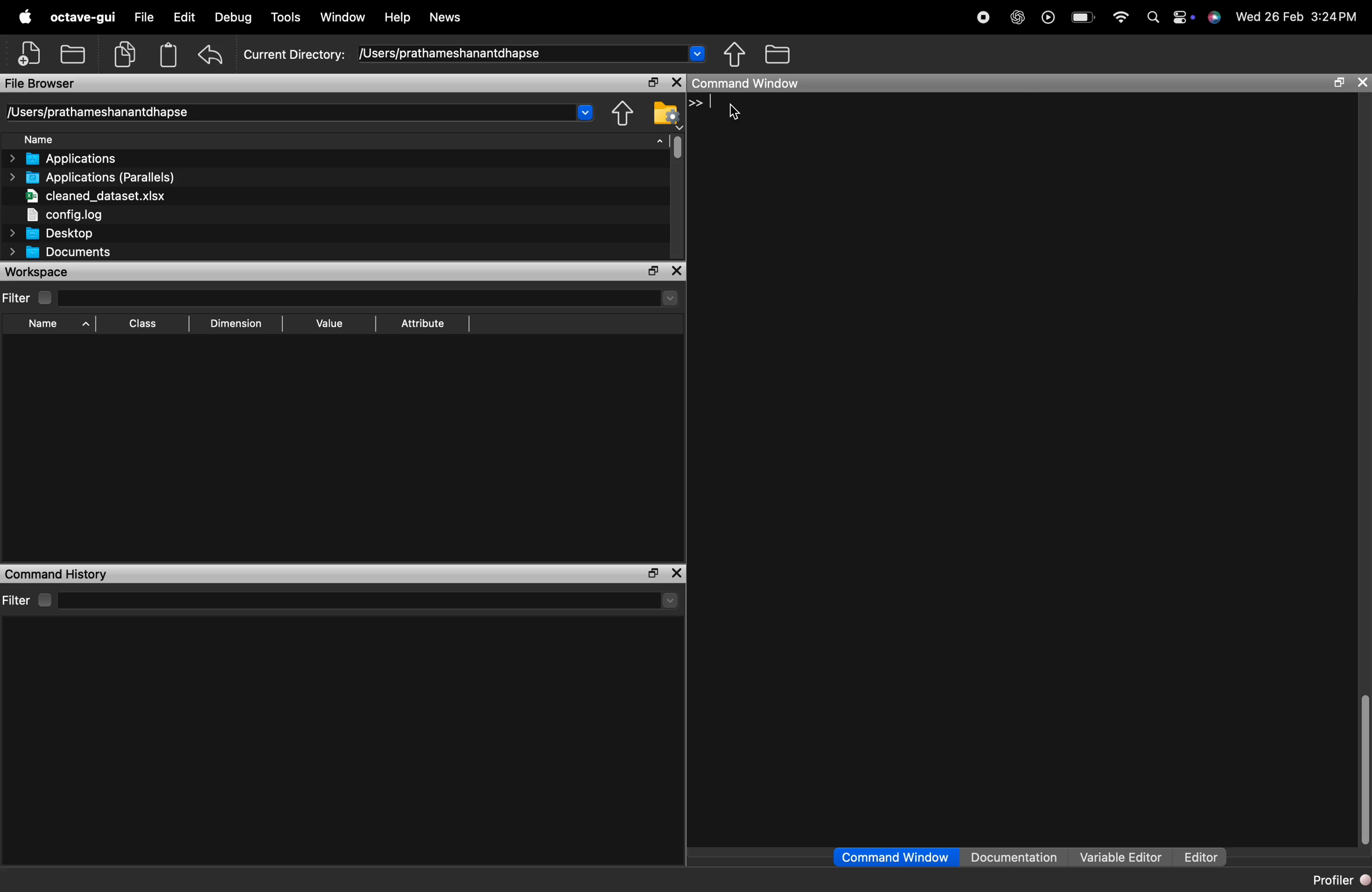  What do you see at coordinates (26, 18) in the screenshot?
I see `logo` at bounding box center [26, 18].